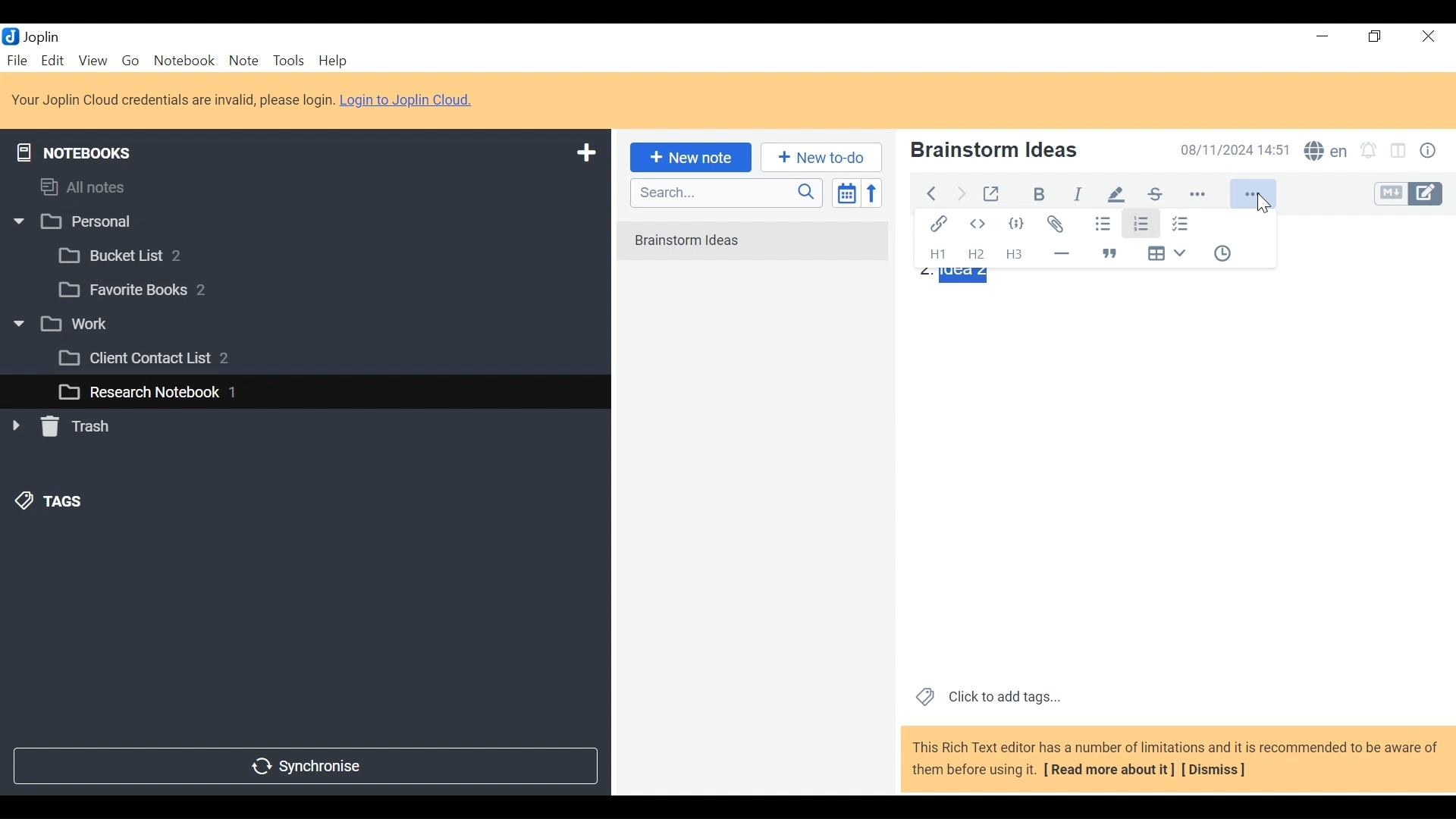 This screenshot has width=1456, height=819. Describe the element at coordinates (130, 59) in the screenshot. I see `Go` at that location.